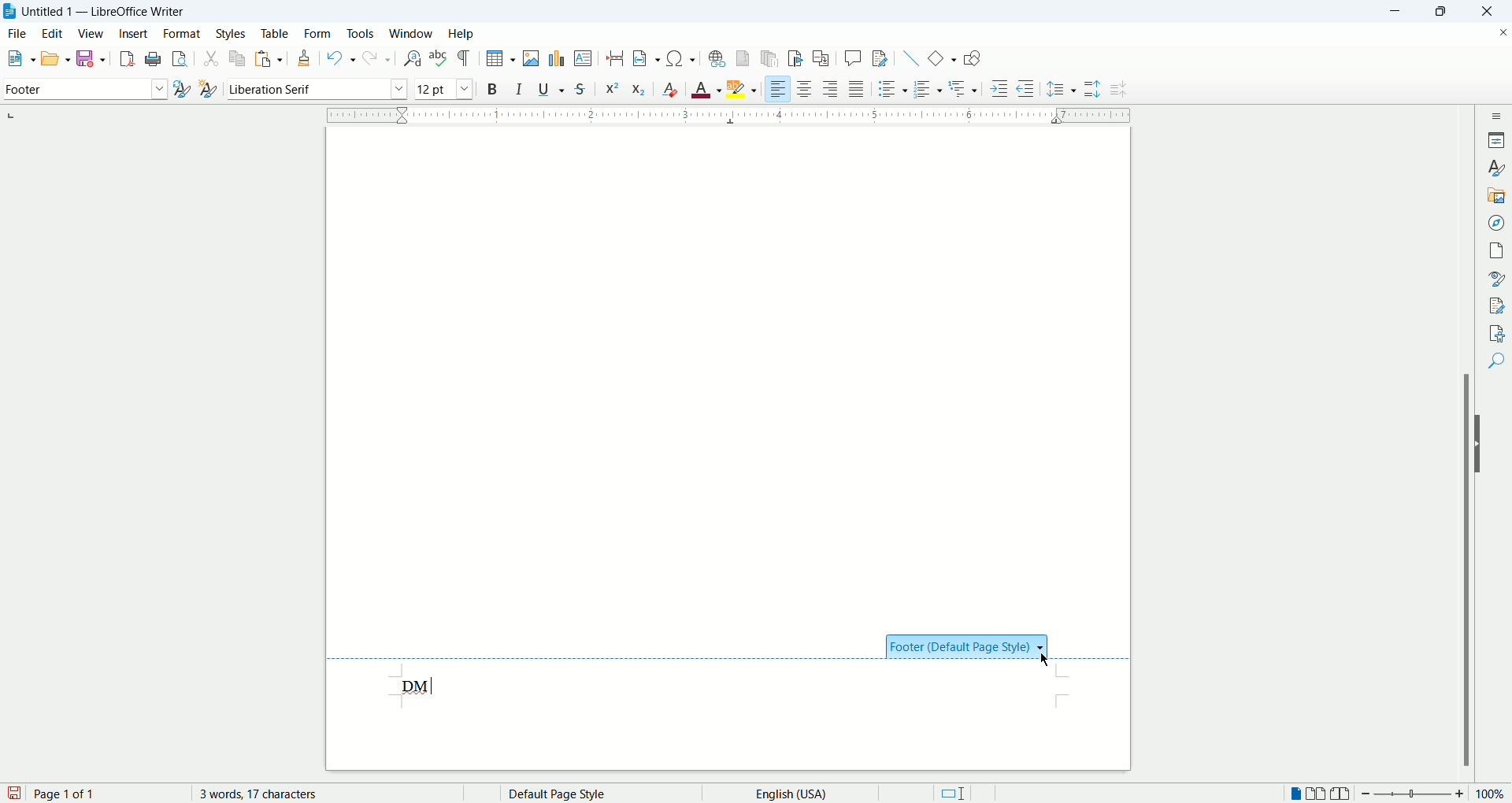  What do you see at coordinates (1341, 794) in the screenshot?
I see `book view` at bounding box center [1341, 794].